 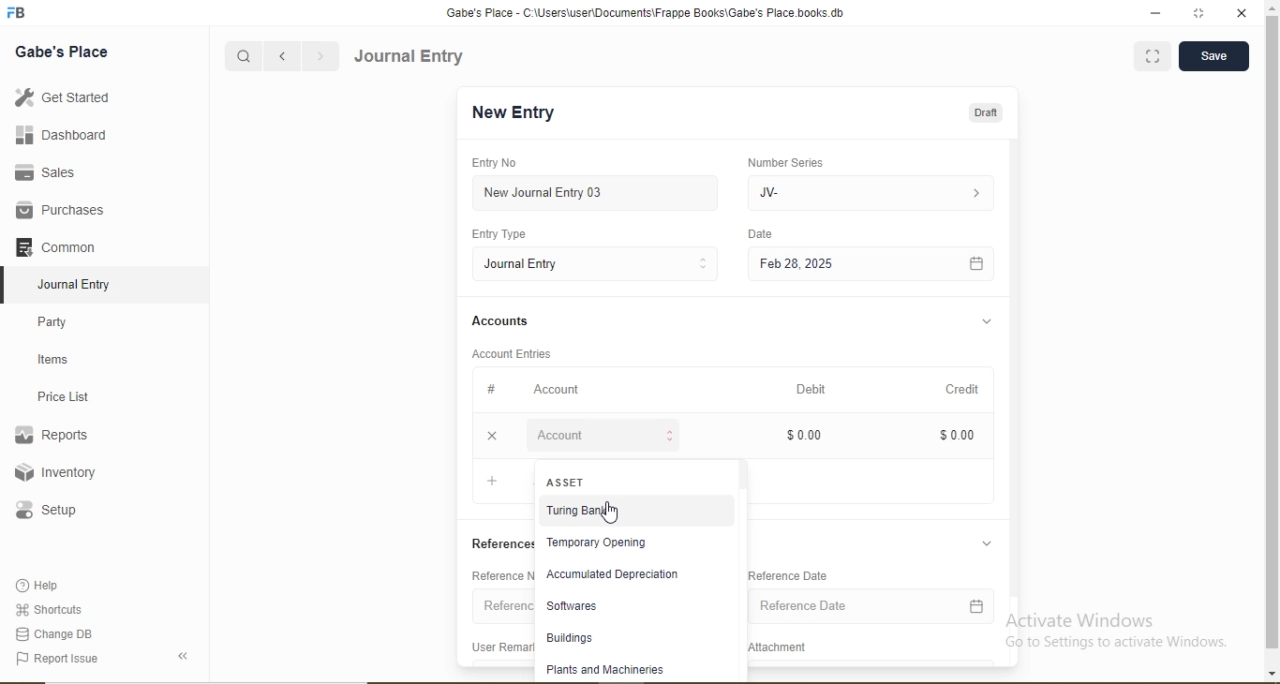 I want to click on close, so click(x=1241, y=13).